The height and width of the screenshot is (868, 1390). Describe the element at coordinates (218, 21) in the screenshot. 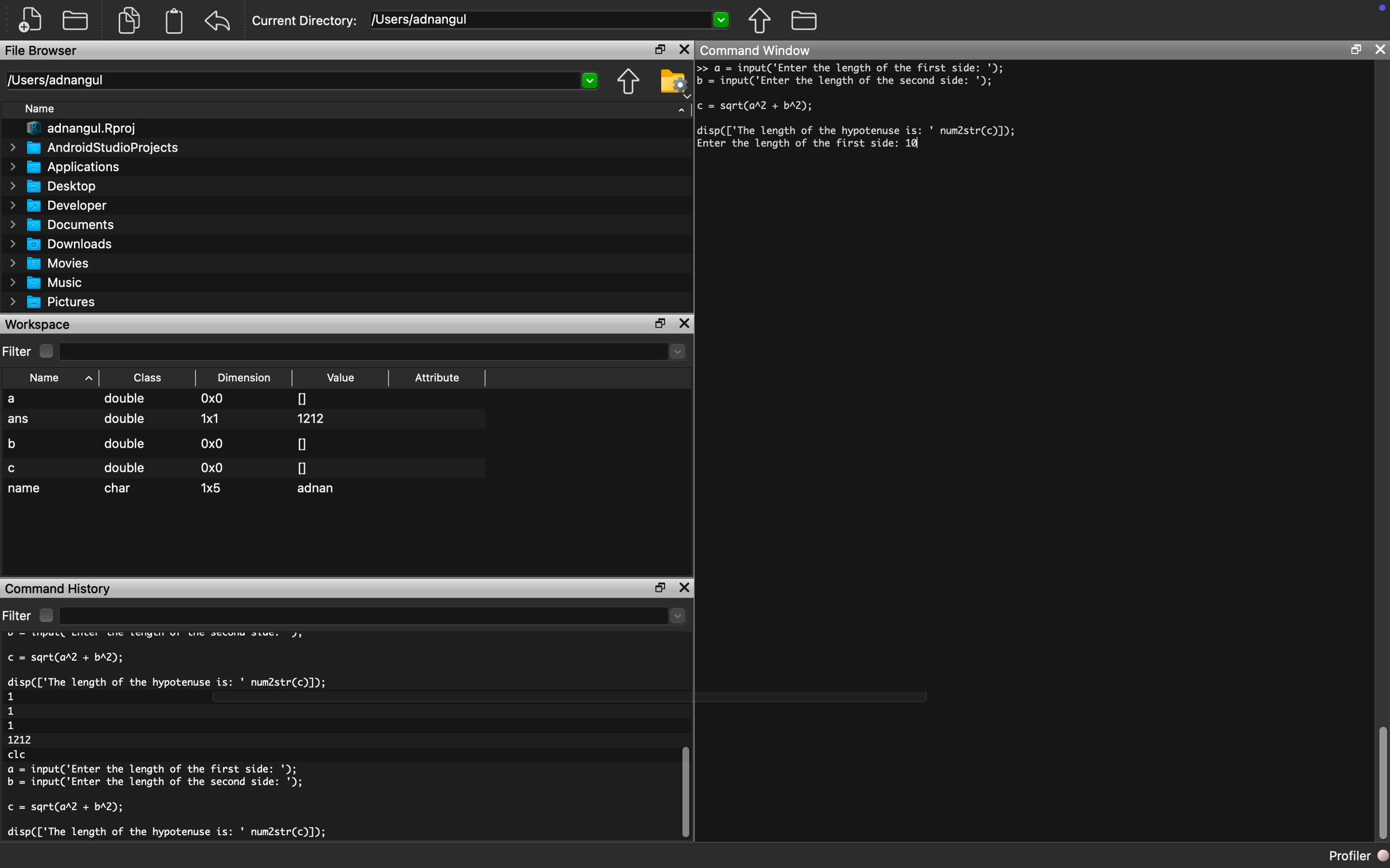

I see `undo` at that location.